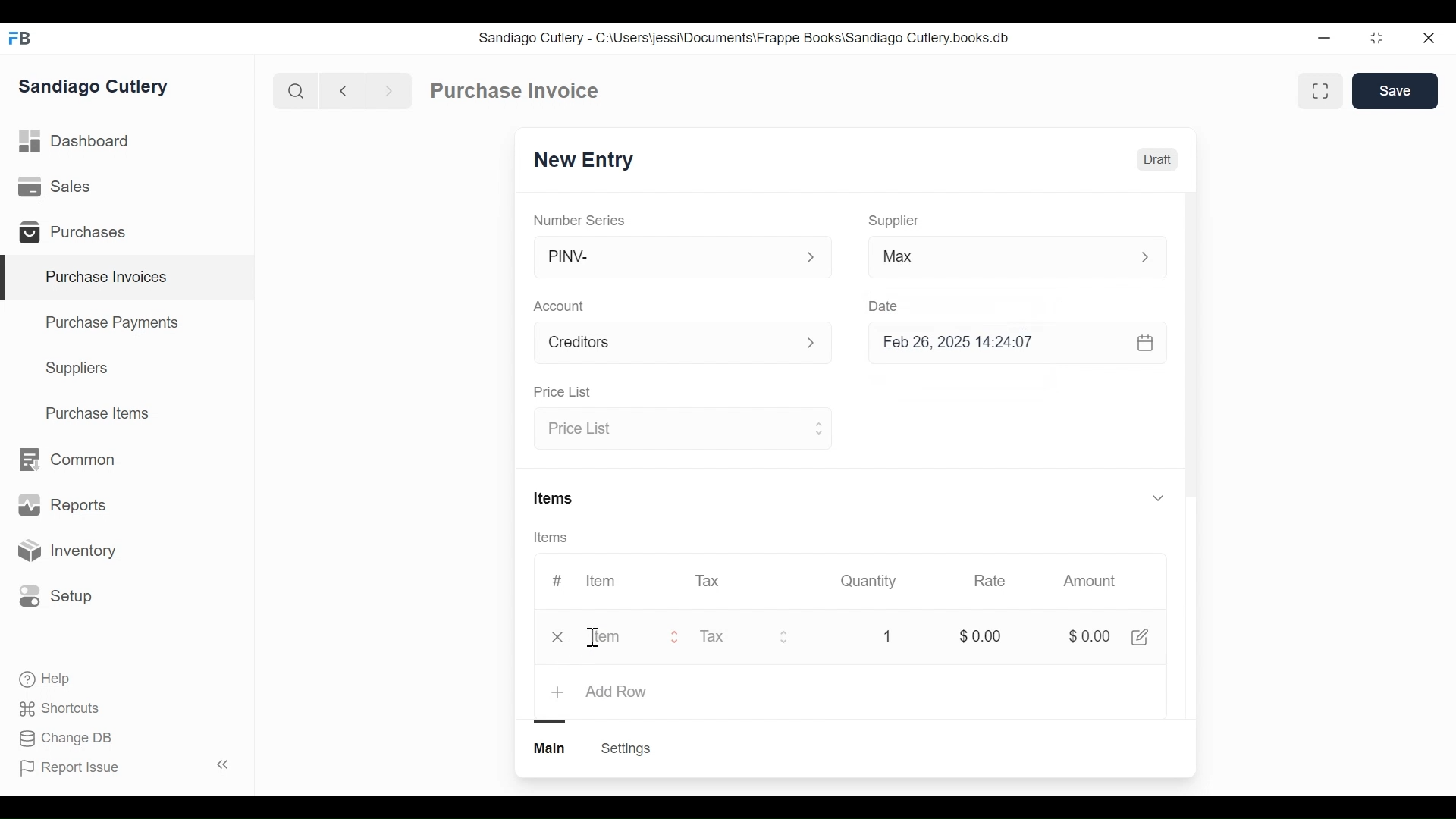  I want to click on Item, so click(621, 638).